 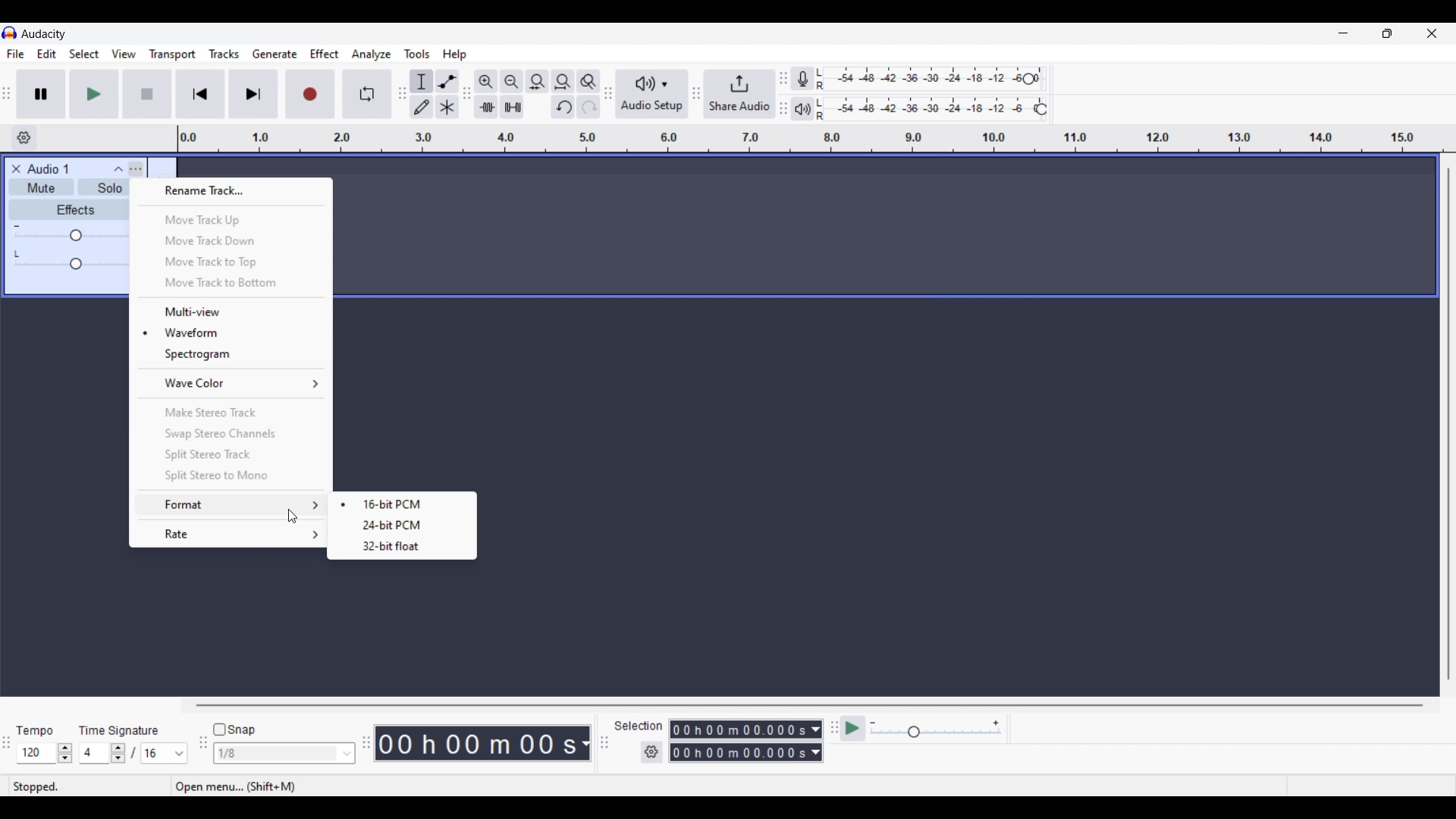 What do you see at coordinates (447, 108) in the screenshot?
I see `Multitool` at bounding box center [447, 108].